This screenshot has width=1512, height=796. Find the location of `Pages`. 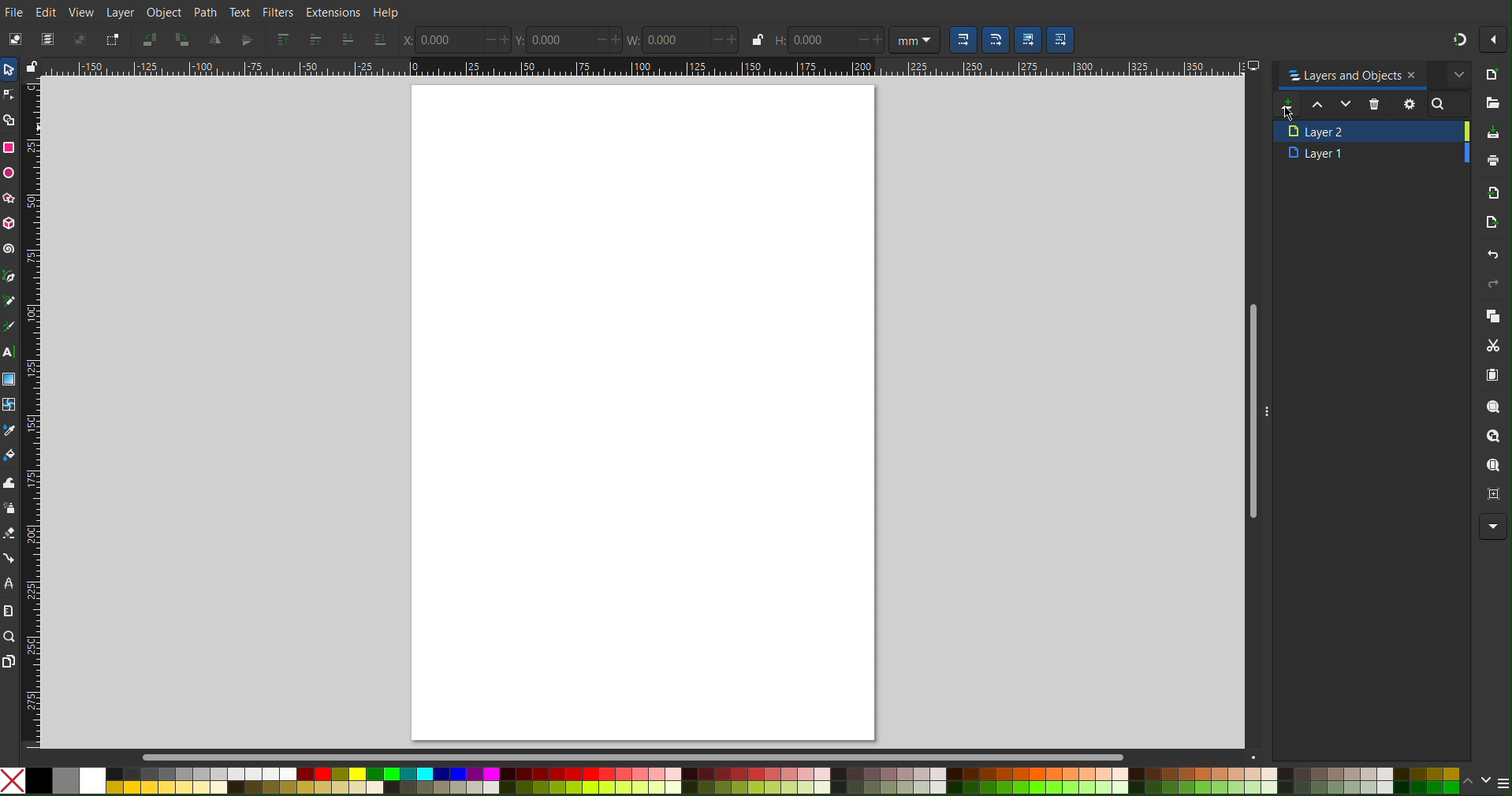

Pages is located at coordinates (13, 662).